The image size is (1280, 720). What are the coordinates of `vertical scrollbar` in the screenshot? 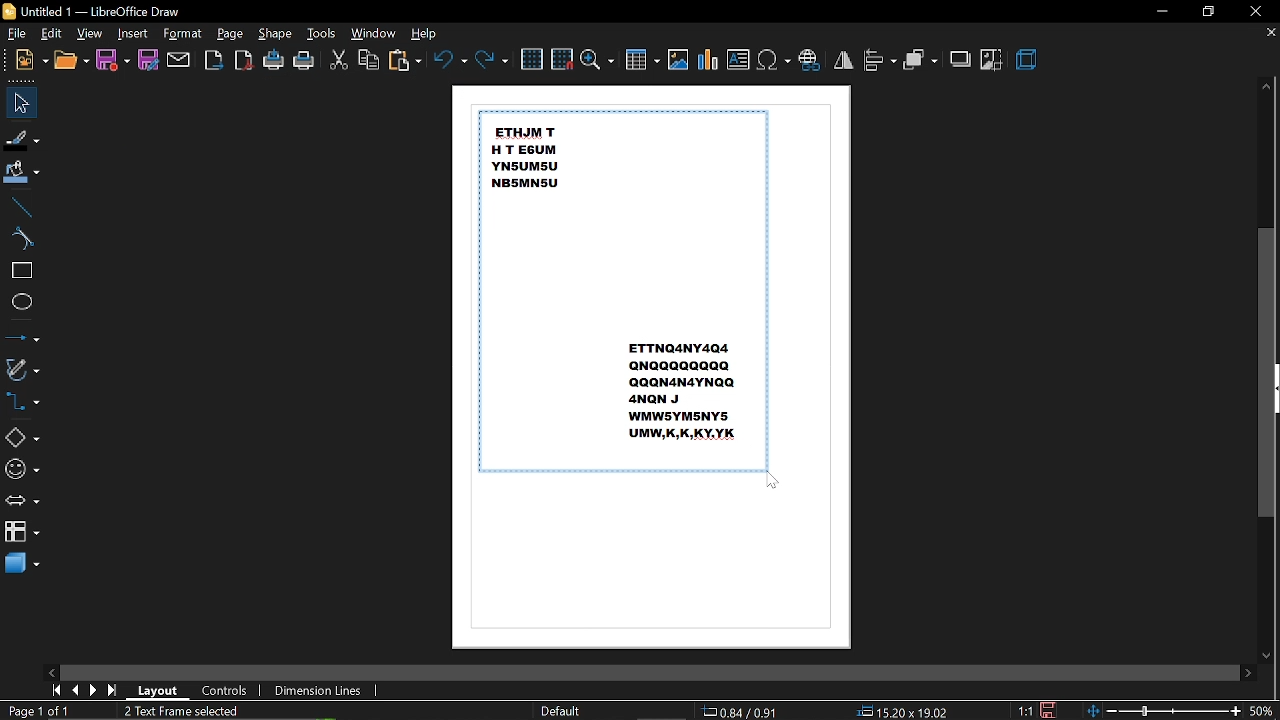 It's located at (1267, 371).